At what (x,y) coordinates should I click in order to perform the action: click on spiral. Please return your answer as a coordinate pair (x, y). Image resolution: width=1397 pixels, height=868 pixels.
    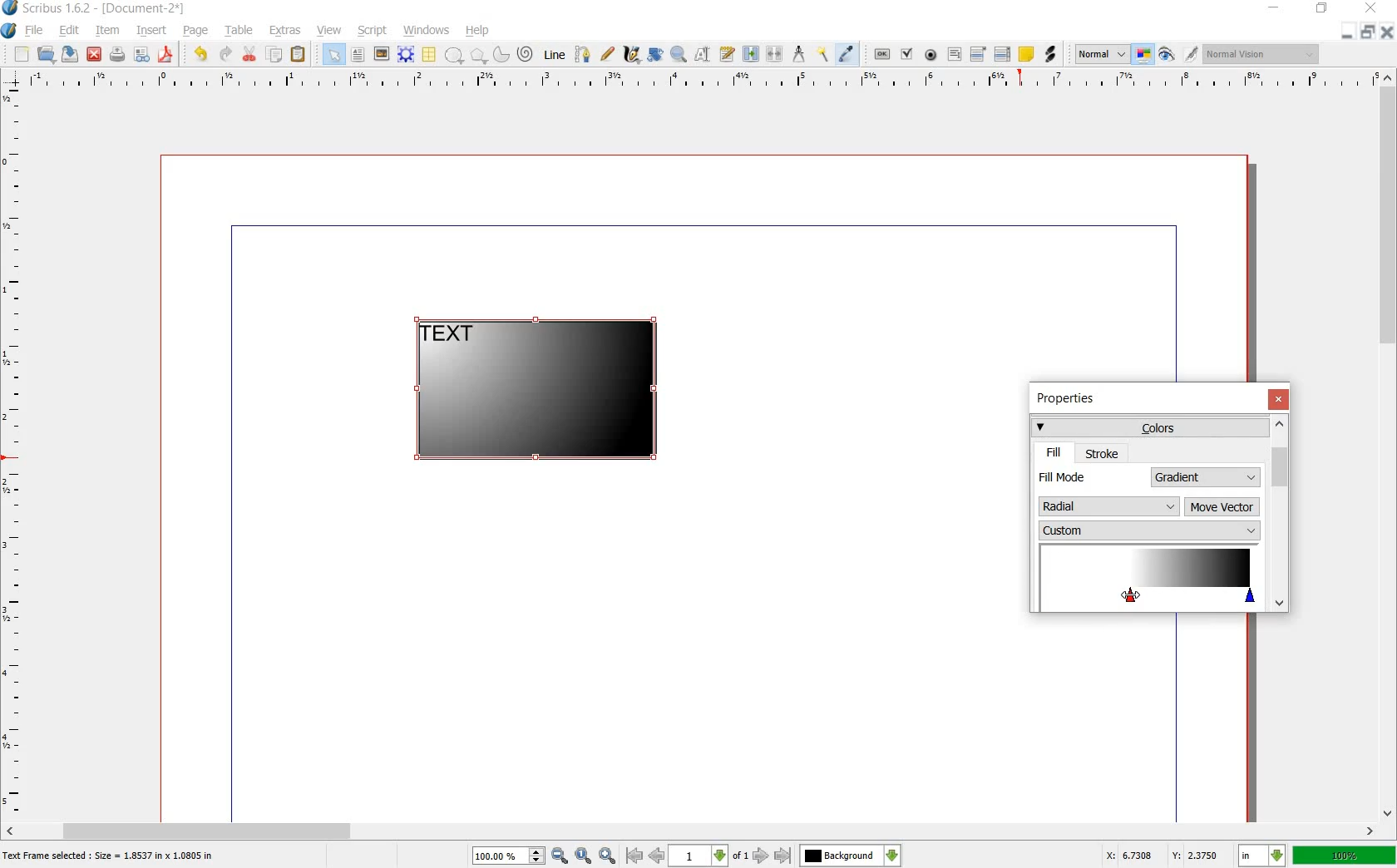
    Looking at the image, I should click on (526, 53).